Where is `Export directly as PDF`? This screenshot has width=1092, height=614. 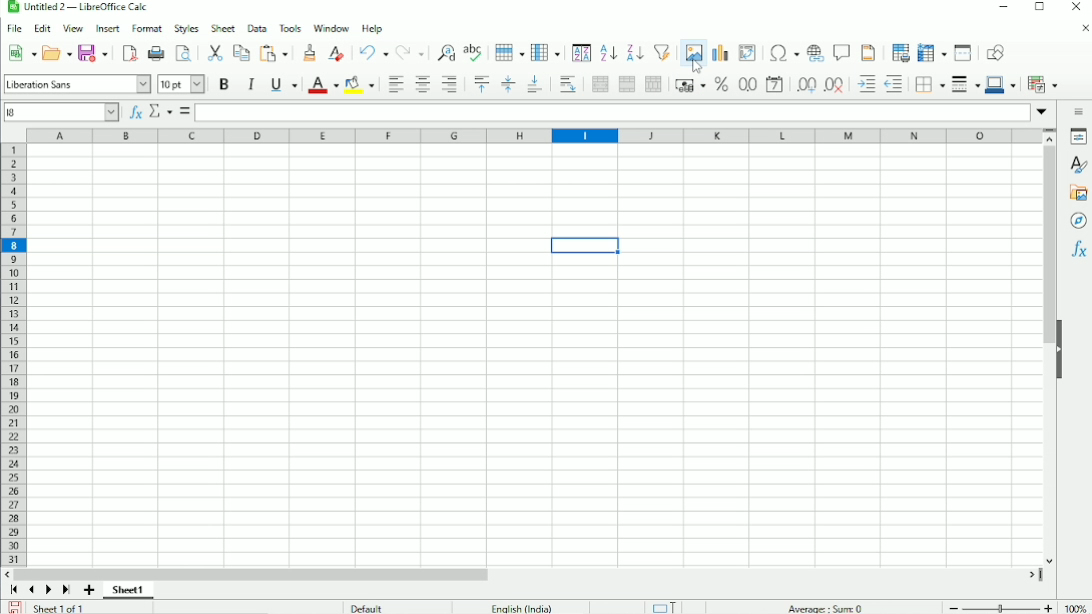 Export directly as PDF is located at coordinates (130, 54).